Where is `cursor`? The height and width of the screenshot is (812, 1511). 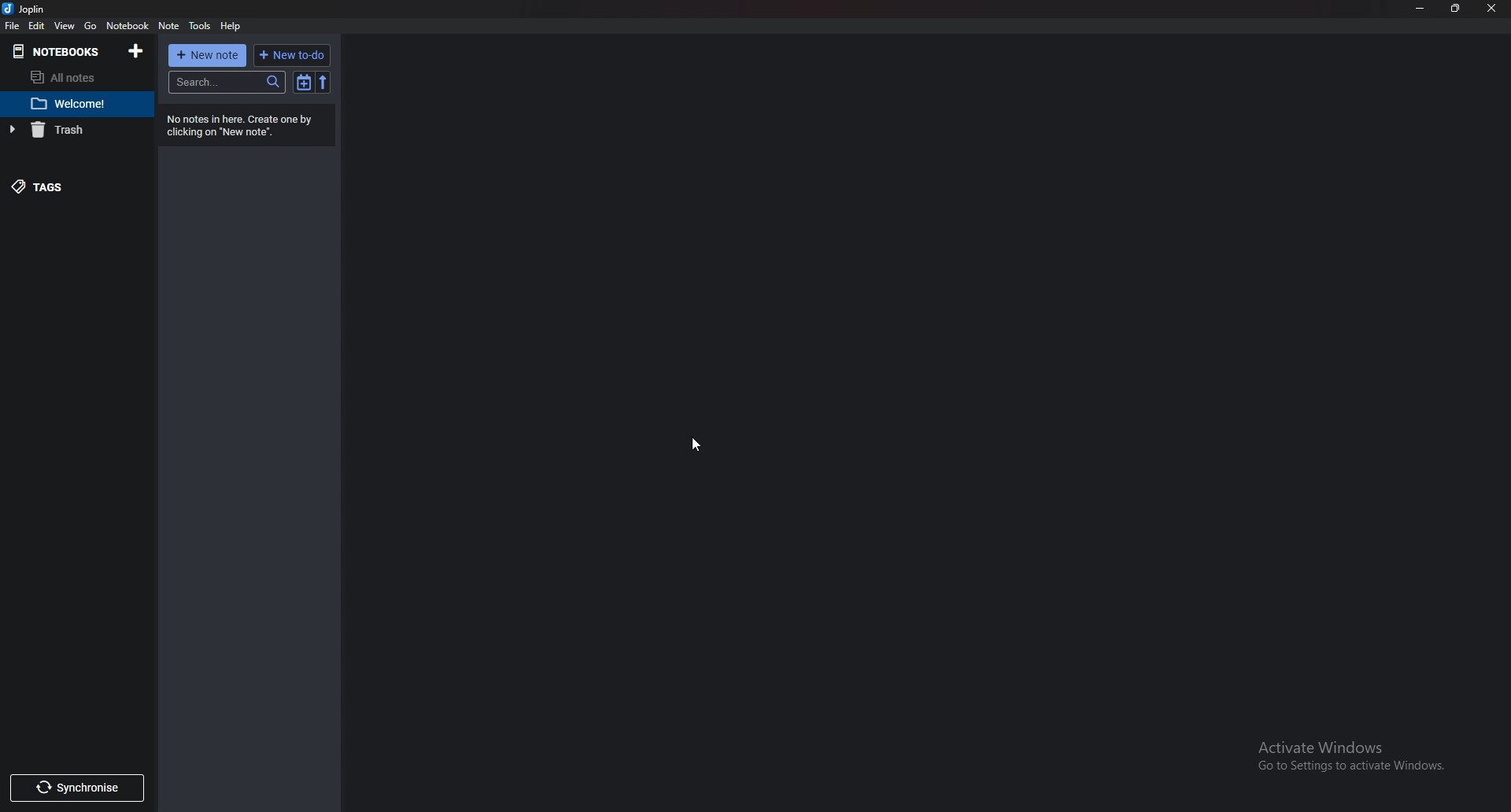 cursor is located at coordinates (696, 445).